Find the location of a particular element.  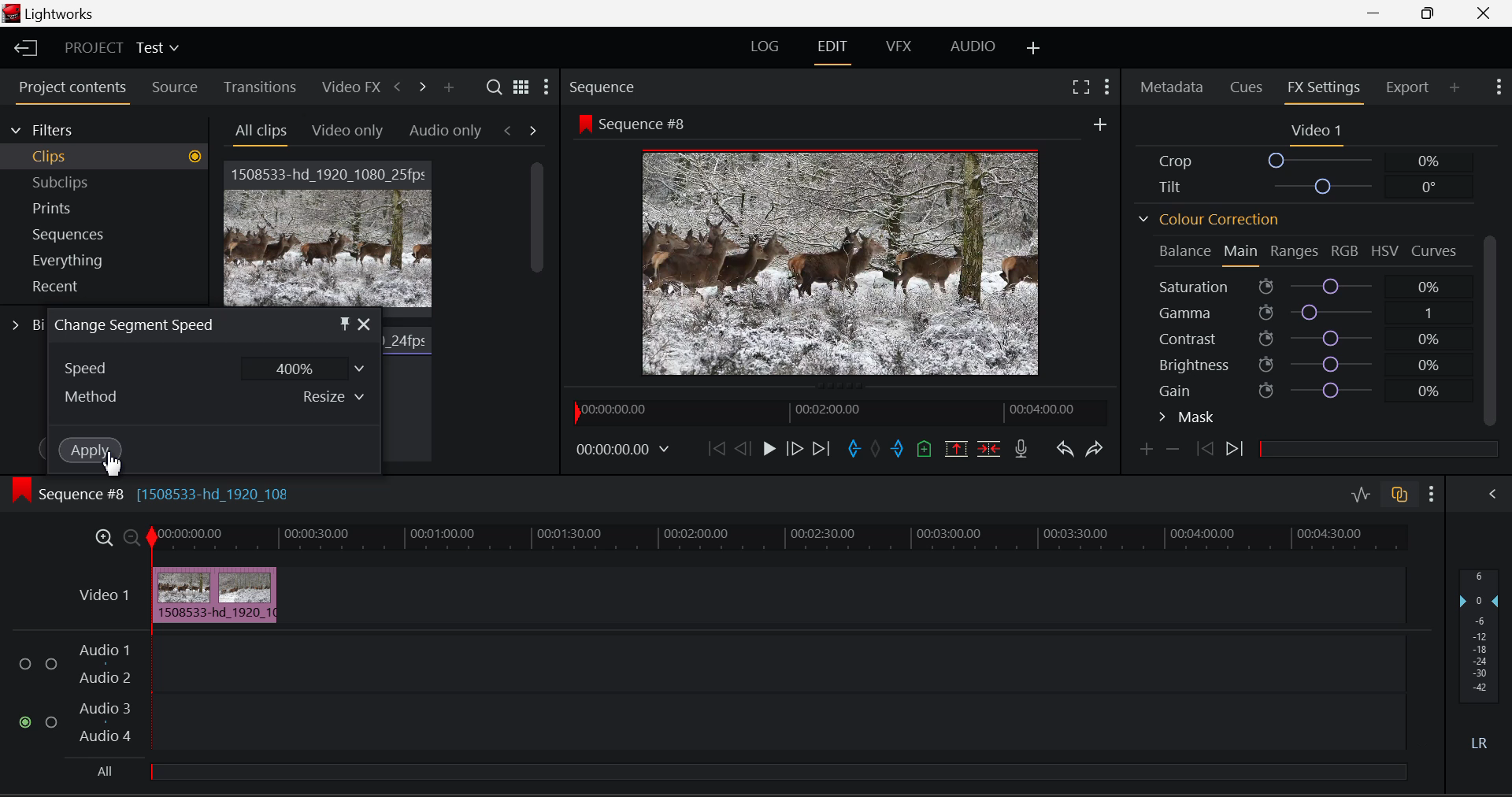

Show Settings is located at coordinates (1499, 90).